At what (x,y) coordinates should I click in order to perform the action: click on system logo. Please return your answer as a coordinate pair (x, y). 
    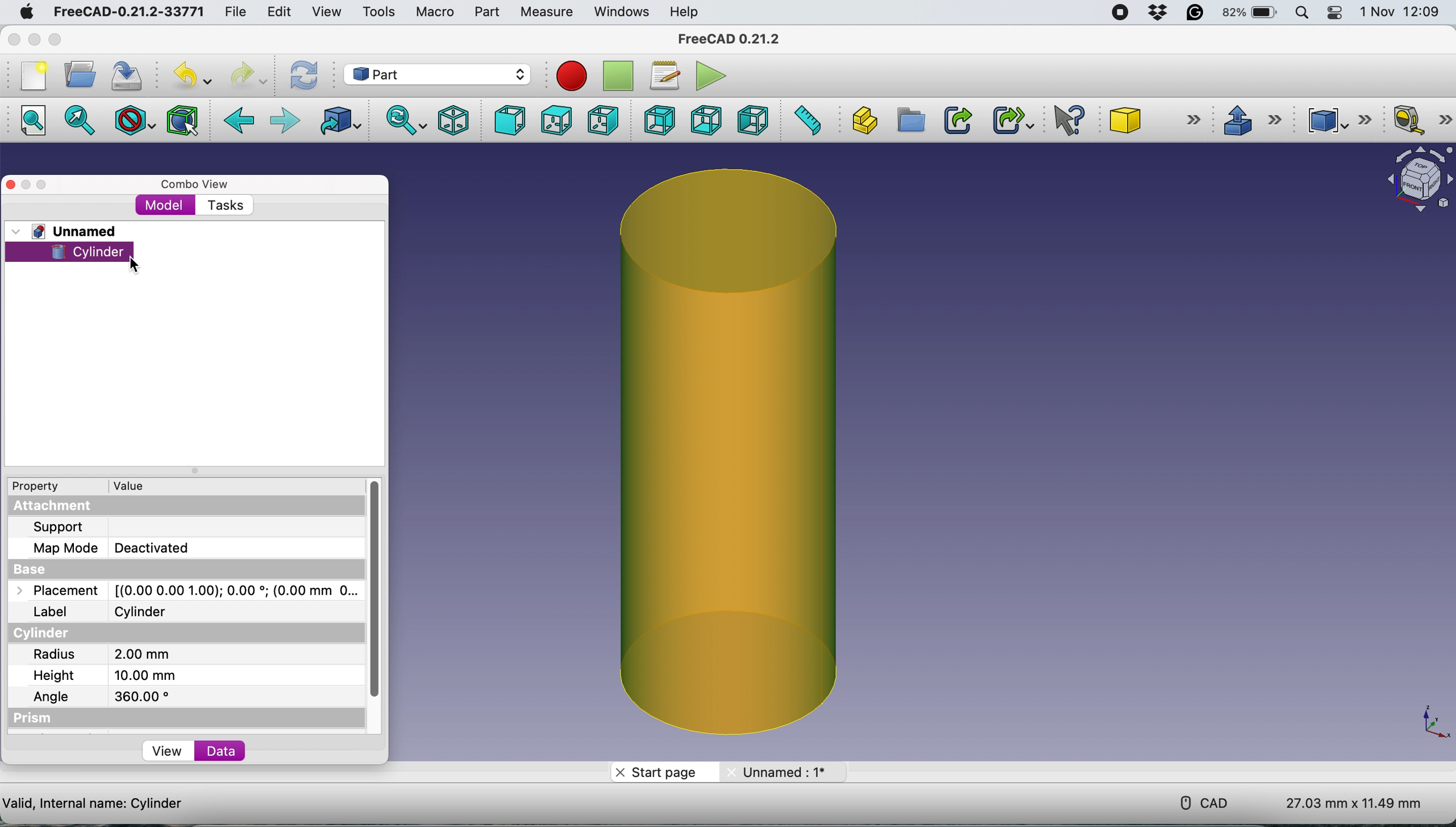
    Looking at the image, I should click on (28, 12).